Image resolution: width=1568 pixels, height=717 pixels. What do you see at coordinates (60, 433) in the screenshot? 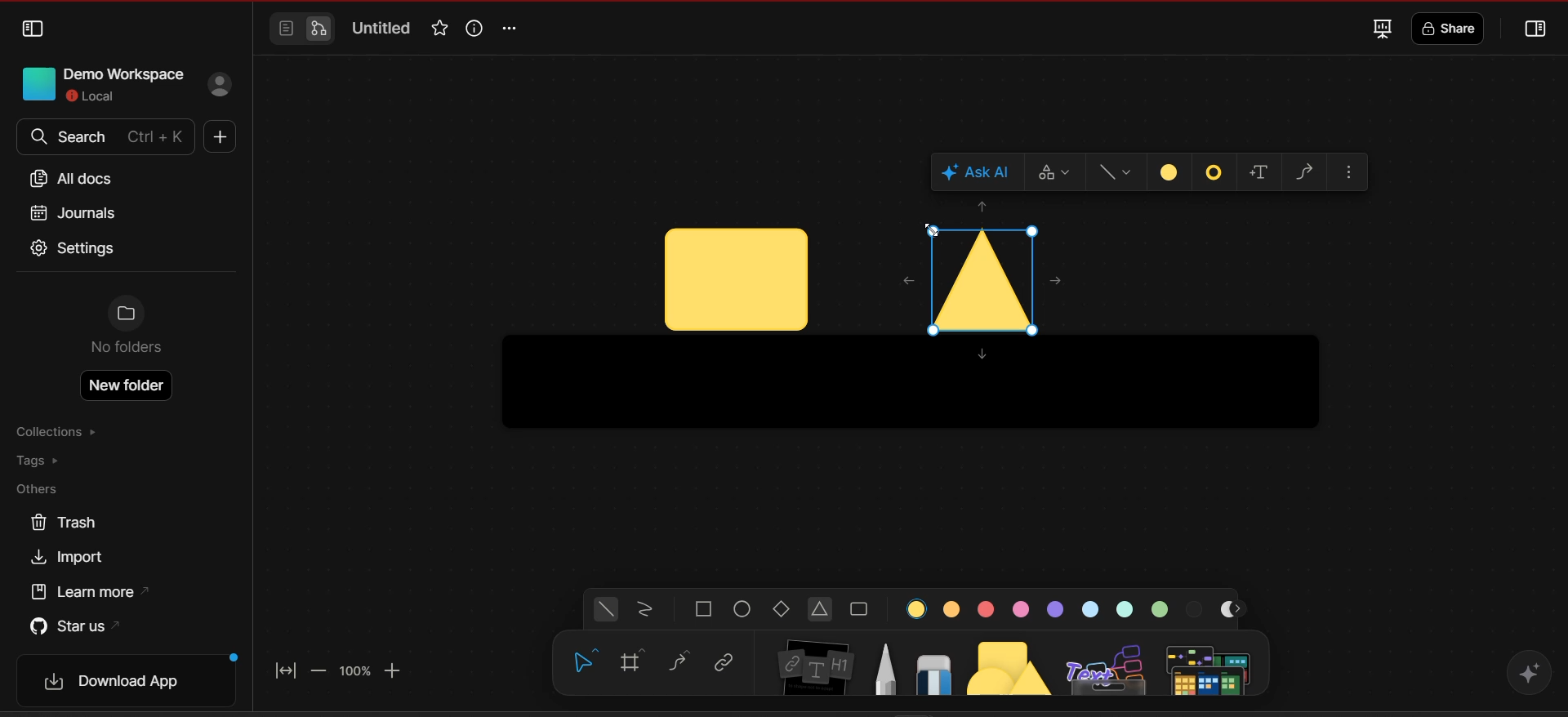
I see `collections` at bounding box center [60, 433].